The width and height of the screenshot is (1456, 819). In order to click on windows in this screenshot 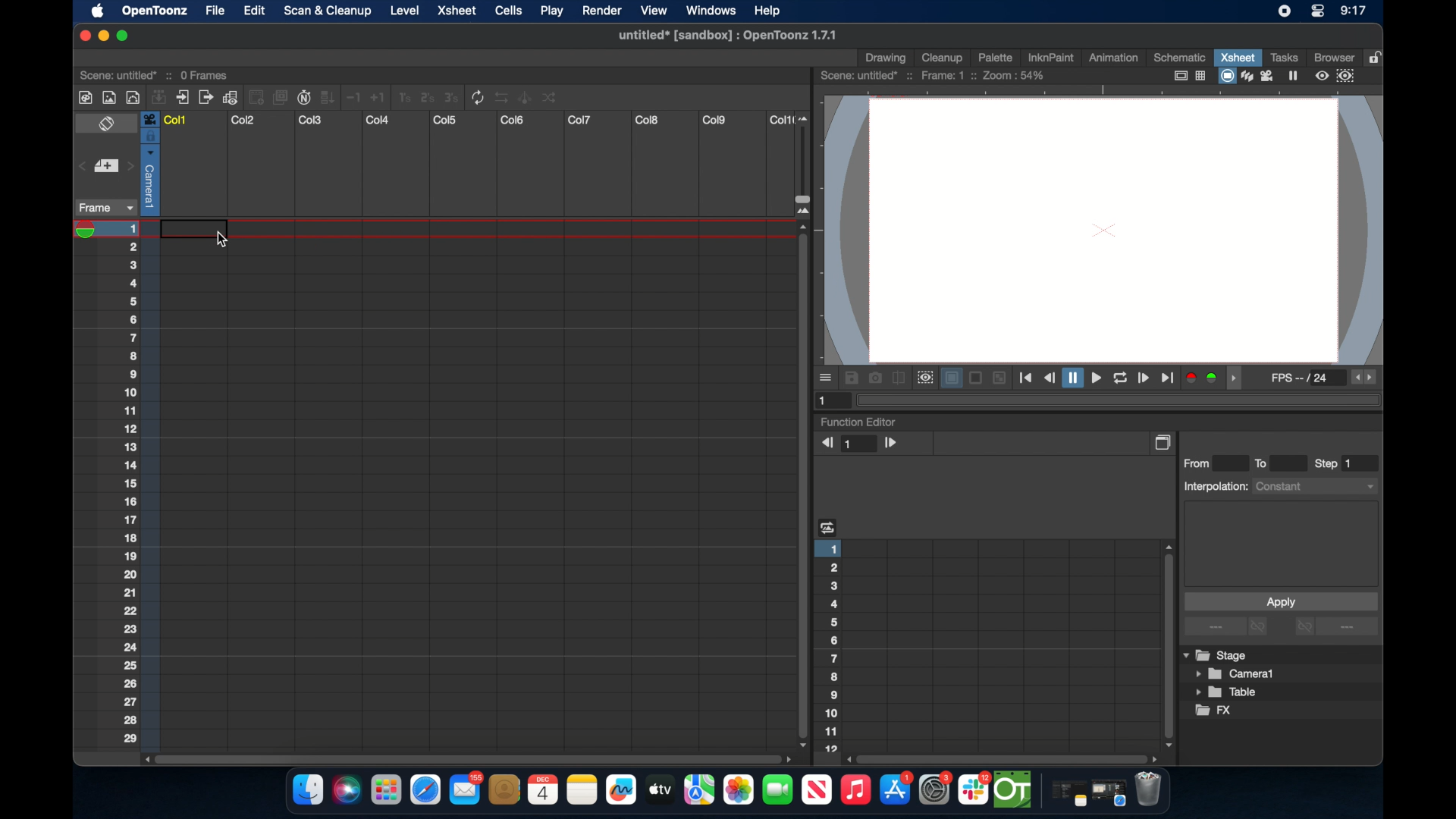, I will do `click(711, 11)`.